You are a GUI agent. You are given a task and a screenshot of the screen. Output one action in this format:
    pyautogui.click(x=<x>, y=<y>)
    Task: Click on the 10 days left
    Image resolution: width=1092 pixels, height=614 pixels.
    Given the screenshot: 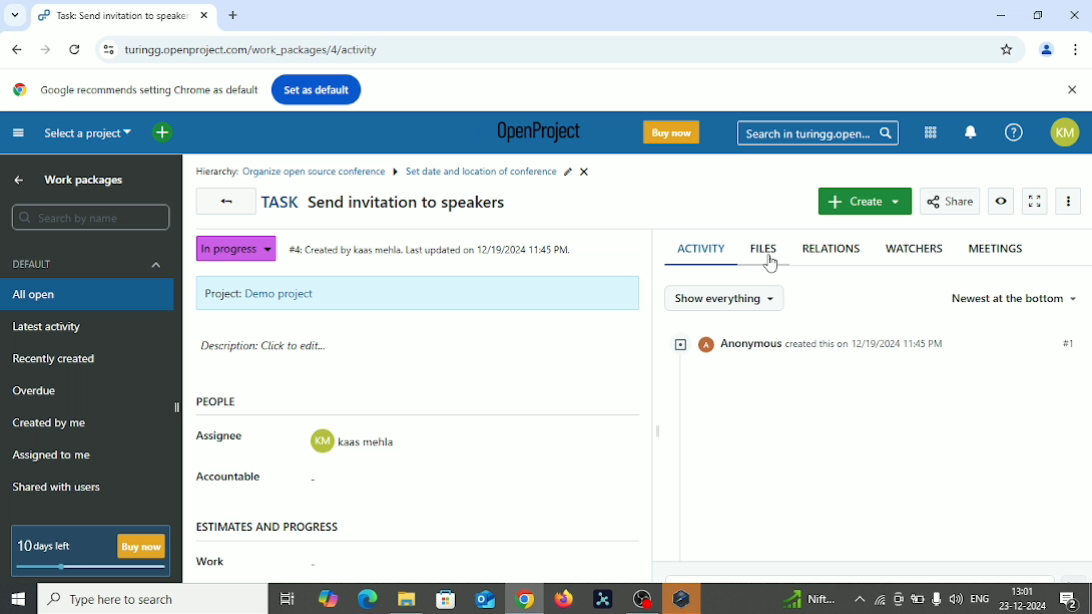 What is the action you would take?
    pyautogui.click(x=46, y=547)
    